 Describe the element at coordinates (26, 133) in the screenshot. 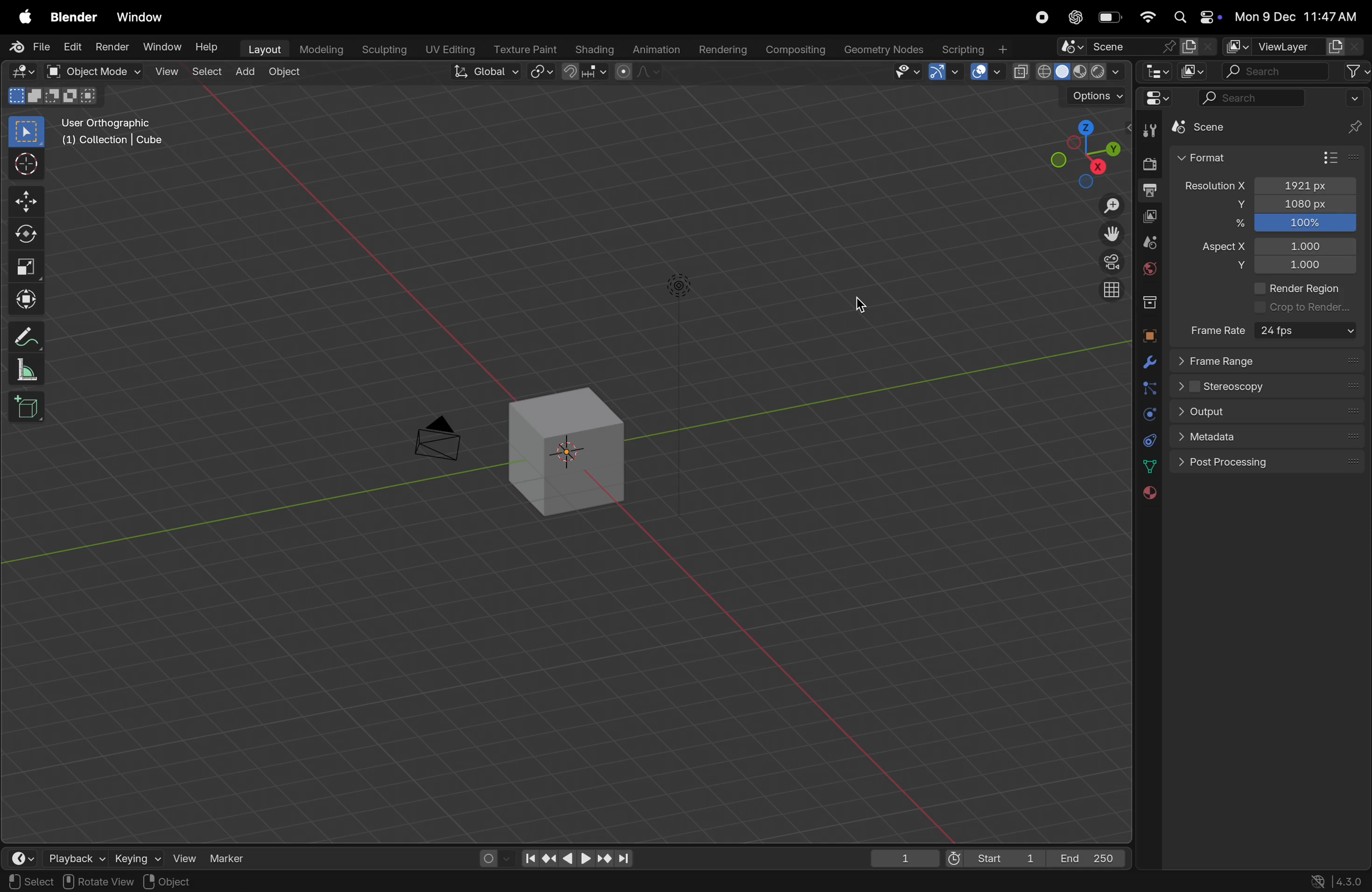

I see `select box` at that location.